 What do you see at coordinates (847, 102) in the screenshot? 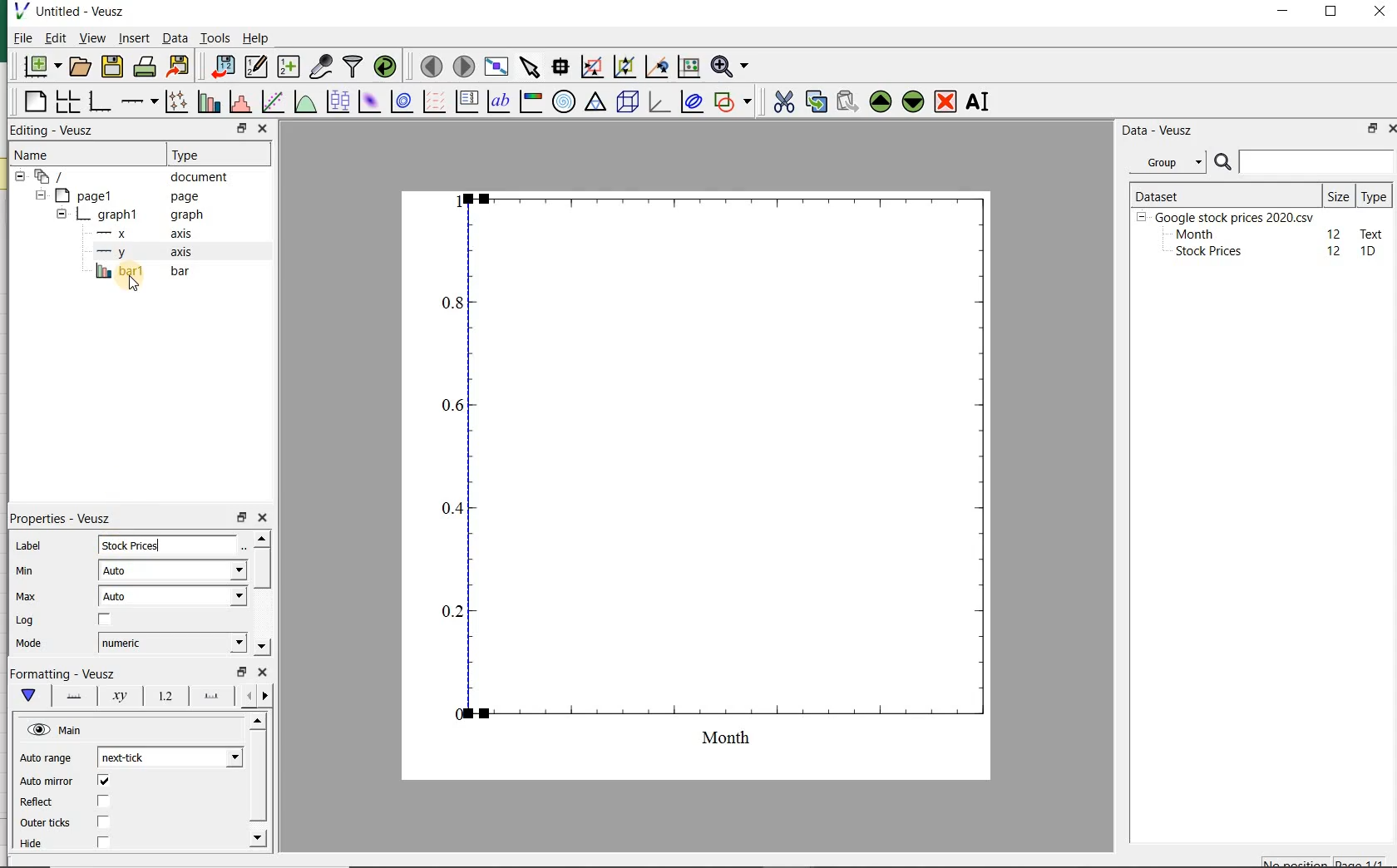
I see `paste widget from the clipboard` at bounding box center [847, 102].